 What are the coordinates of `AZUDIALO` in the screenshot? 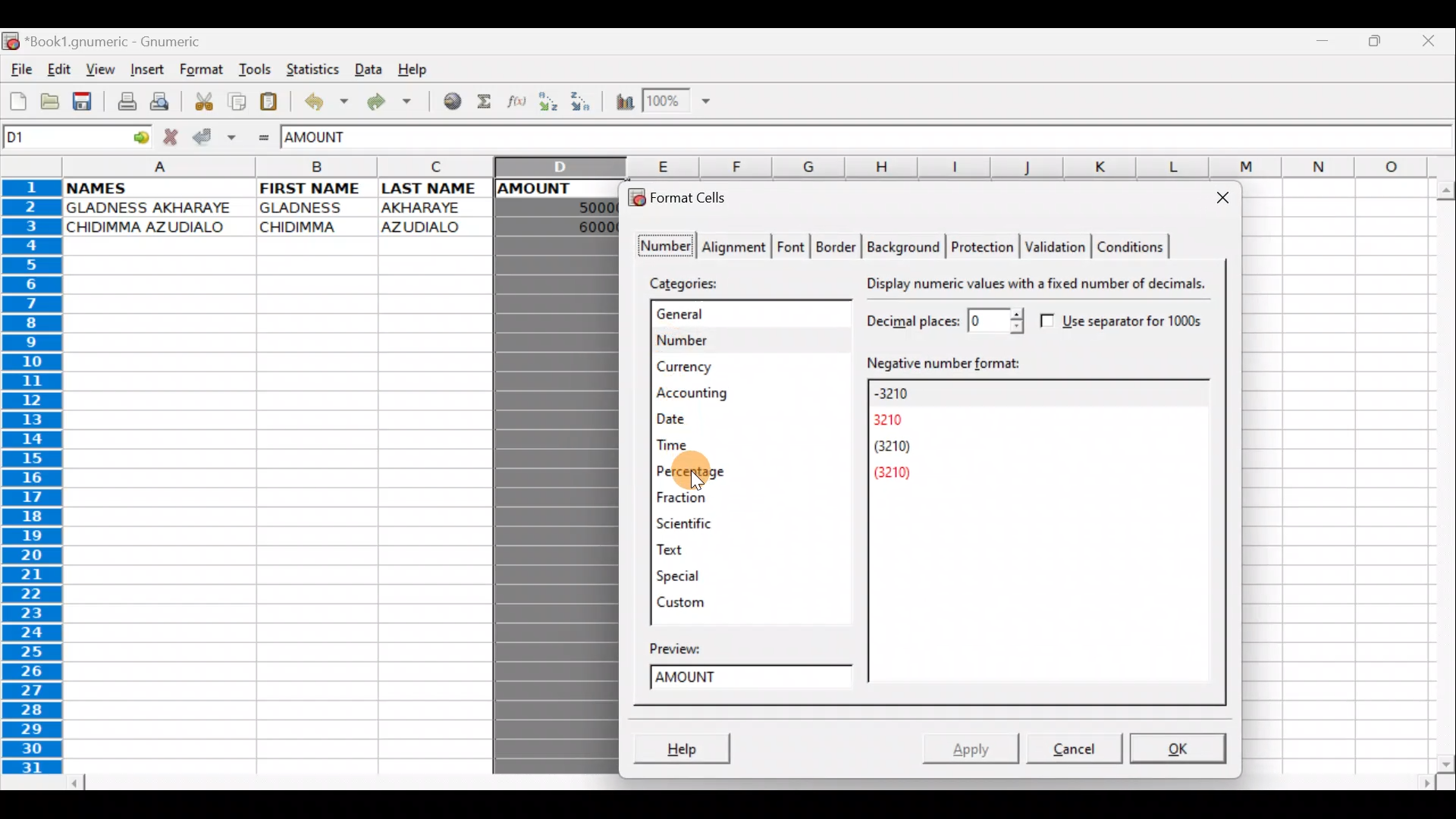 It's located at (427, 226).